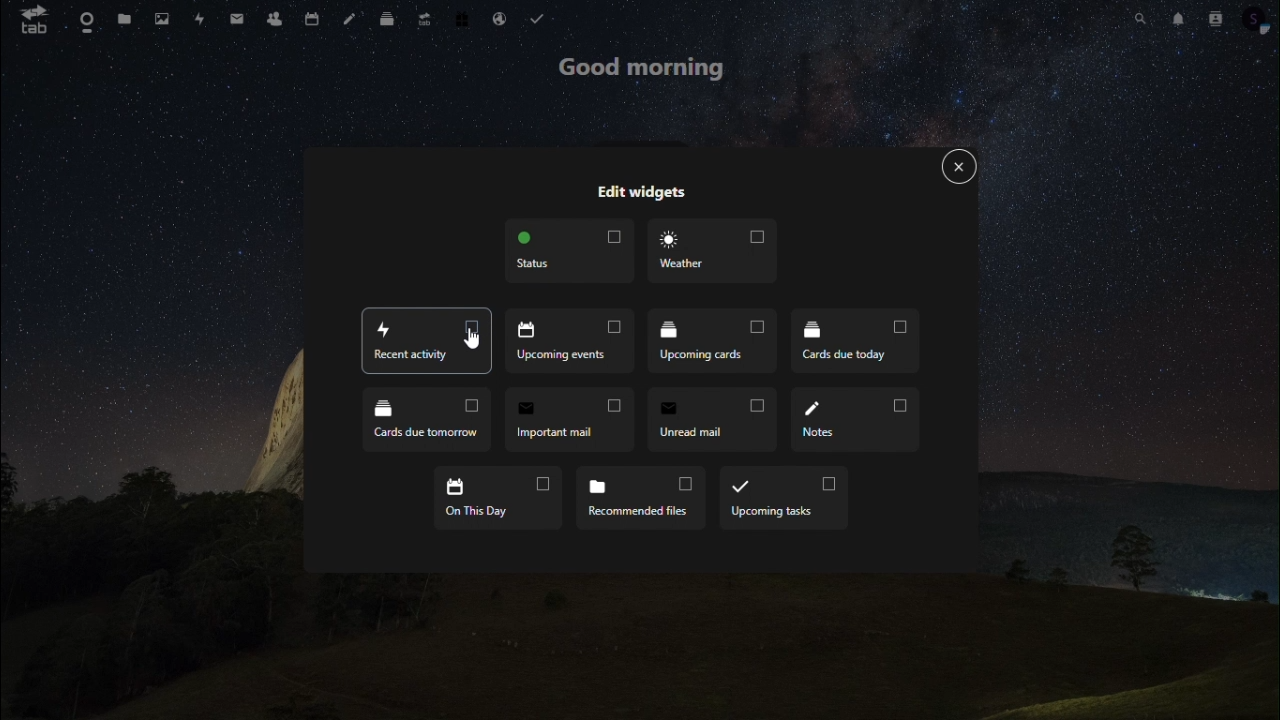 This screenshot has height=720, width=1280. Describe the element at coordinates (427, 421) in the screenshot. I see `cards due tomarrow` at that location.